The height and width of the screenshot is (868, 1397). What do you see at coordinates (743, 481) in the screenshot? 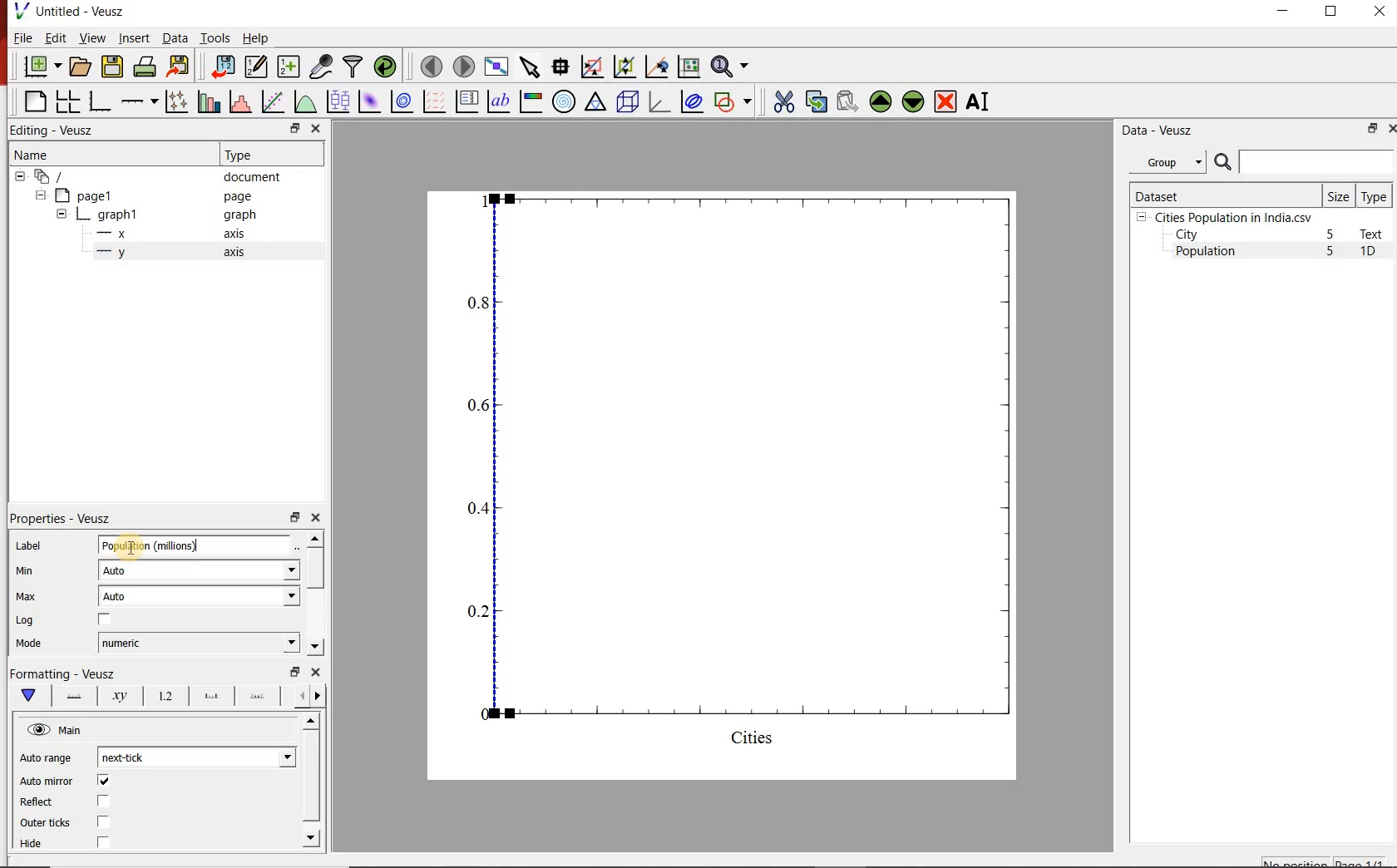
I see `graph1` at bounding box center [743, 481].